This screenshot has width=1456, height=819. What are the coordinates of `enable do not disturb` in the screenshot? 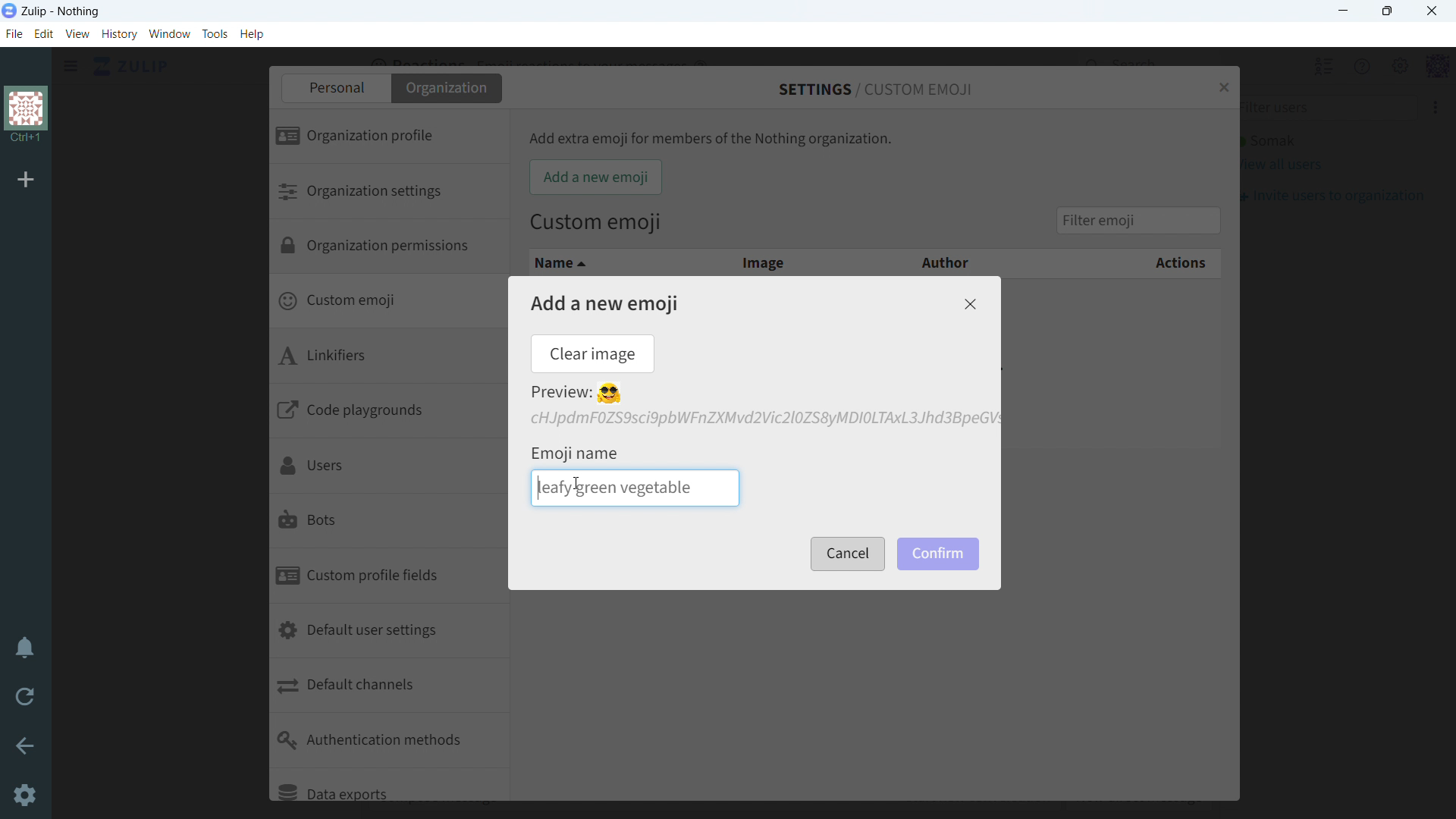 It's located at (24, 649).